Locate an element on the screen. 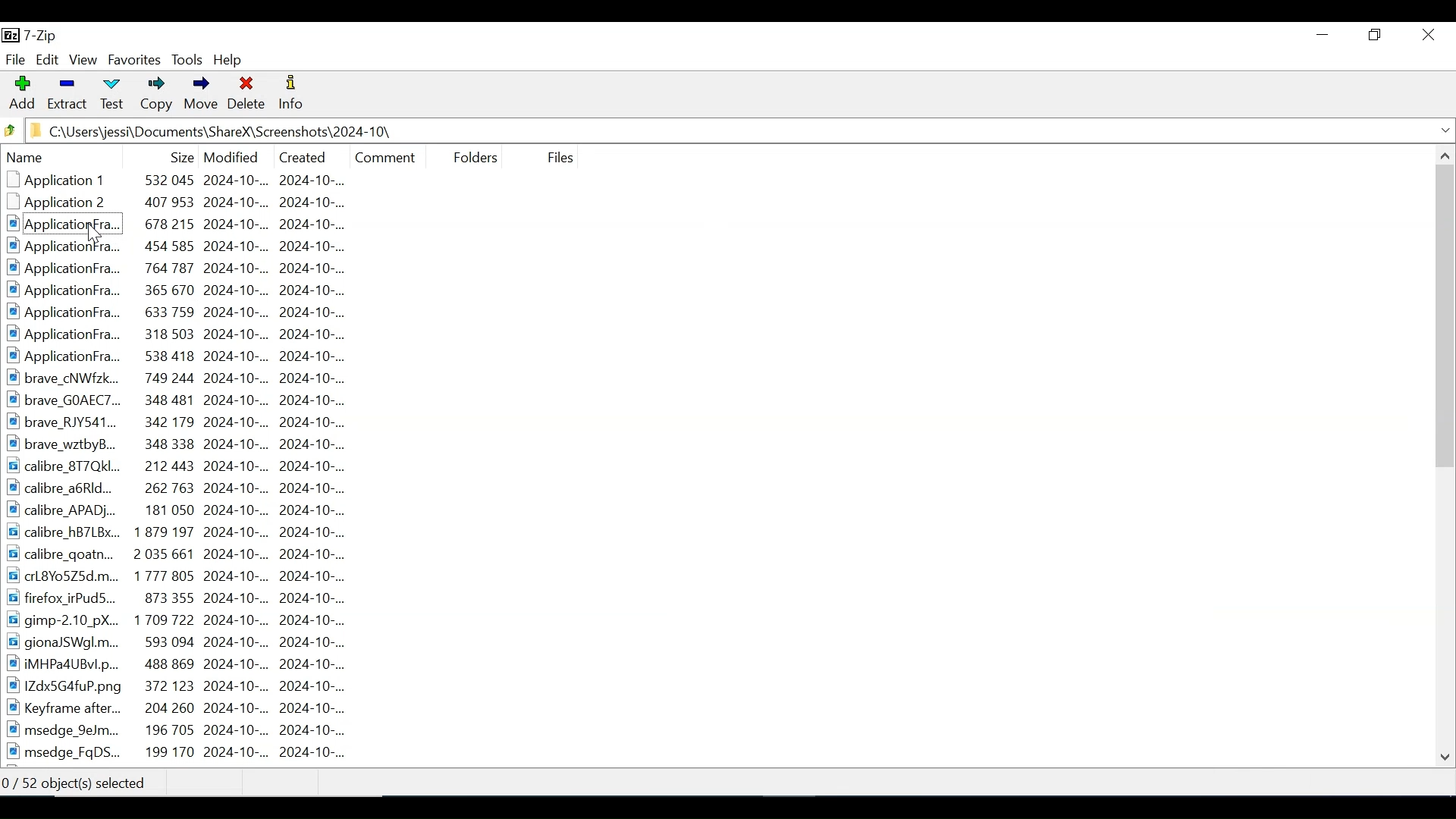 The width and height of the screenshot is (1456, 819).  calibre_8T7QKI... 212443 2024-10-... 2024-10-... is located at coordinates (190, 466).